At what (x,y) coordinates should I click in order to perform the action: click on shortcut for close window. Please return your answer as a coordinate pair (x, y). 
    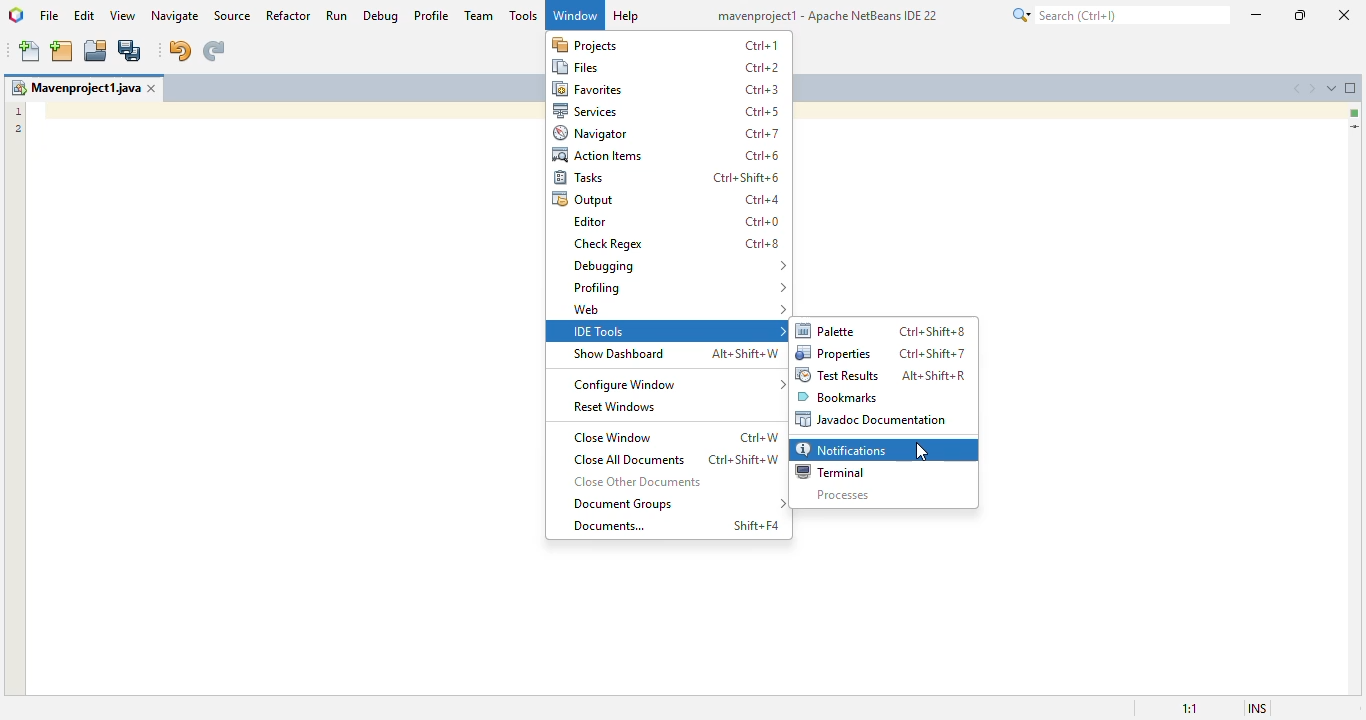
    Looking at the image, I should click on (760, 437).